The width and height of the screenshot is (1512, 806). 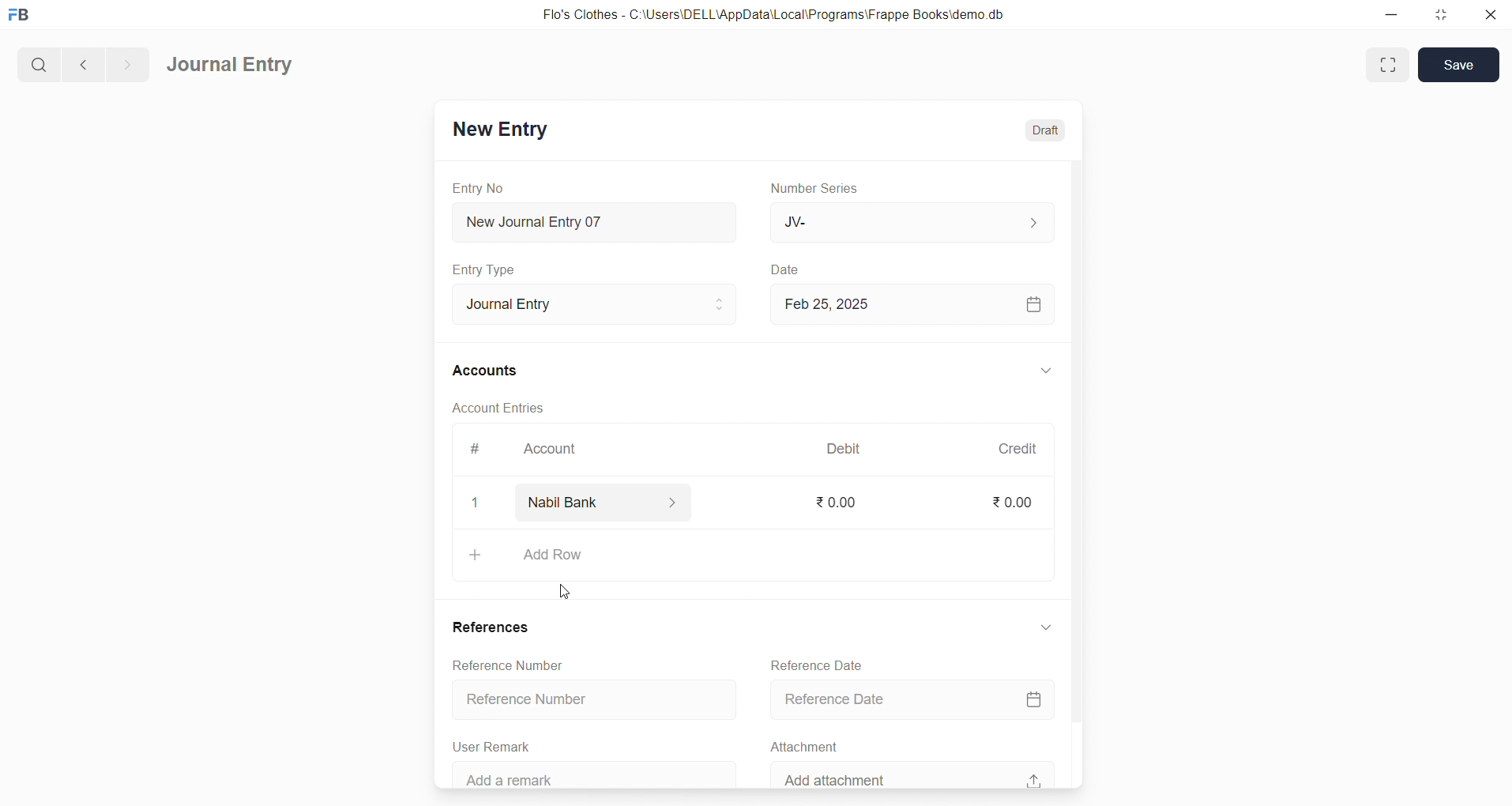 What do you see at coordinates (1390, 65) in the screenshot?
I see `maximize window` at bounding box center [1390, 65].